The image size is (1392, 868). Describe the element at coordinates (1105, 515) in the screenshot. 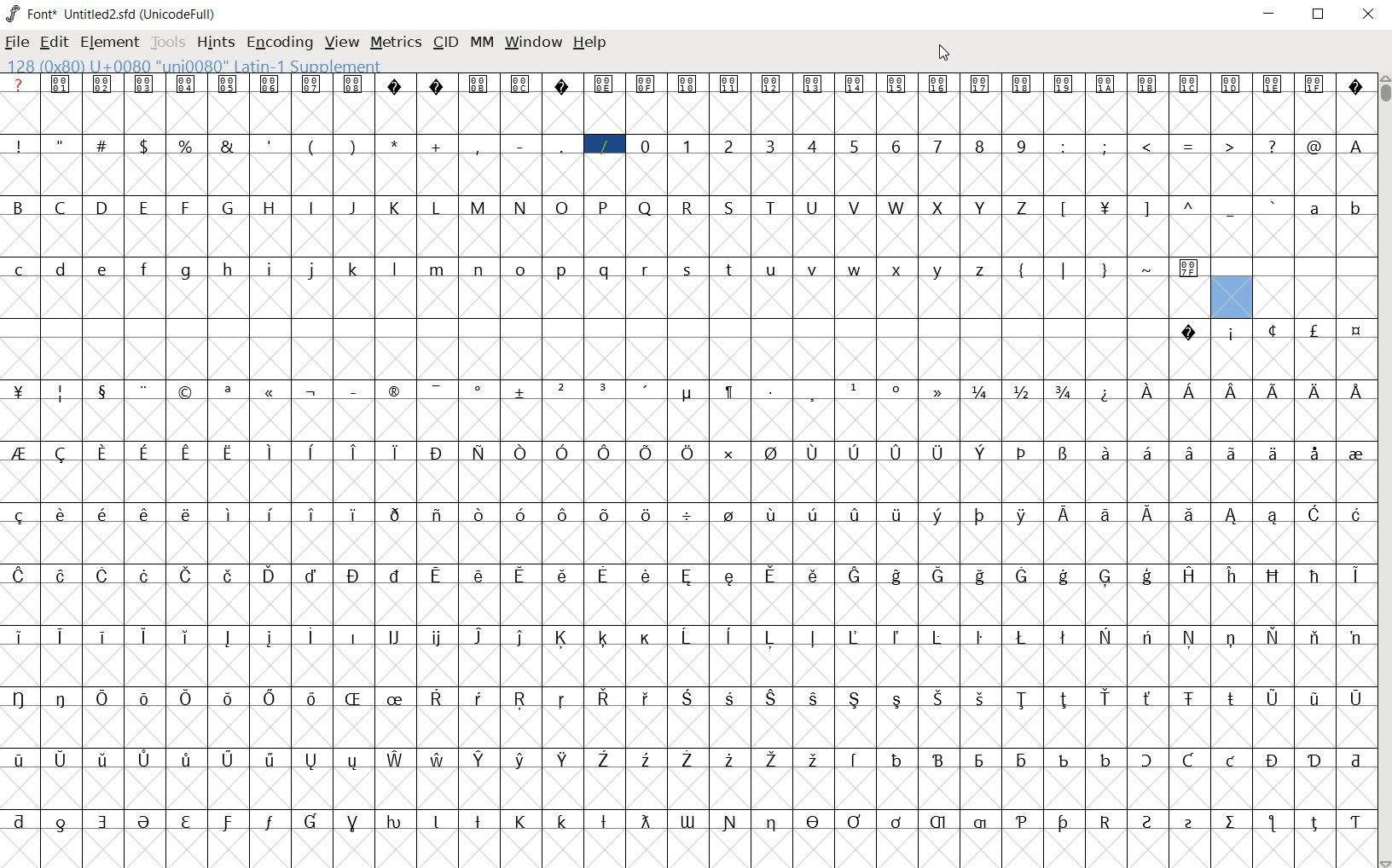

I see `glyph` at that location.